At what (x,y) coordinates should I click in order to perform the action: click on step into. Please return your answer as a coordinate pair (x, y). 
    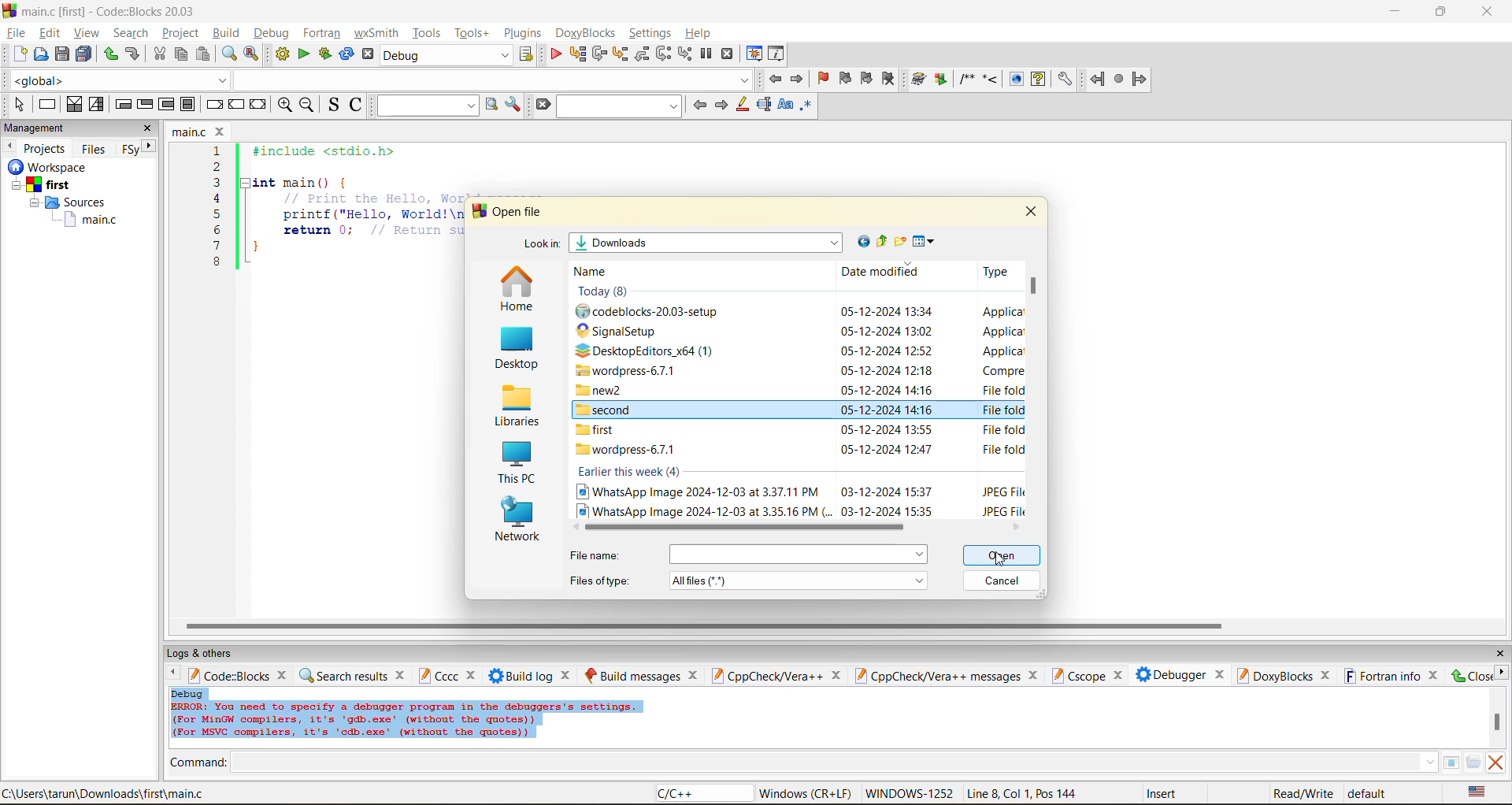
    Looking at the image, I should click on (990, 78).